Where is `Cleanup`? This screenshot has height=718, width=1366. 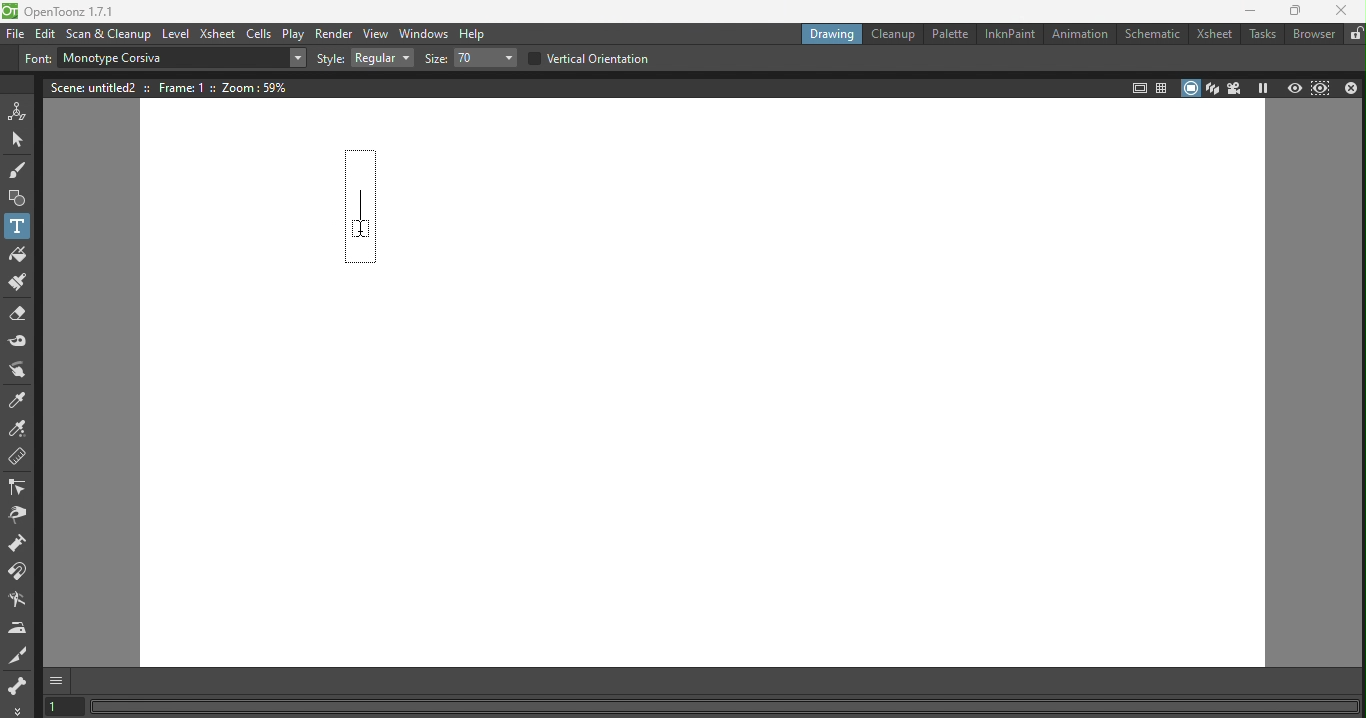 Cleanup is located at coordinates (891, 35).